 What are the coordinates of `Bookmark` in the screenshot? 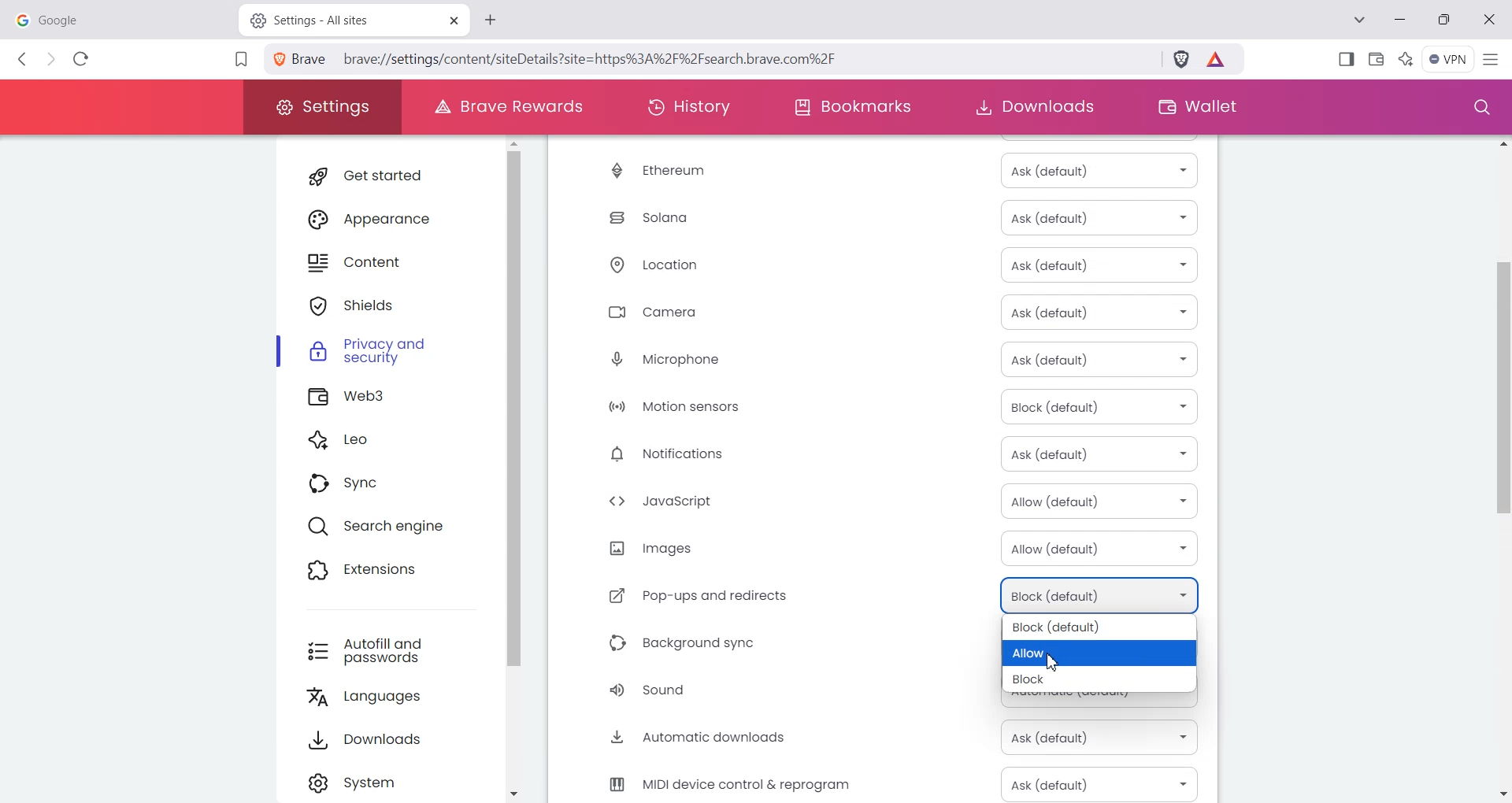 It's located at (240, 61).